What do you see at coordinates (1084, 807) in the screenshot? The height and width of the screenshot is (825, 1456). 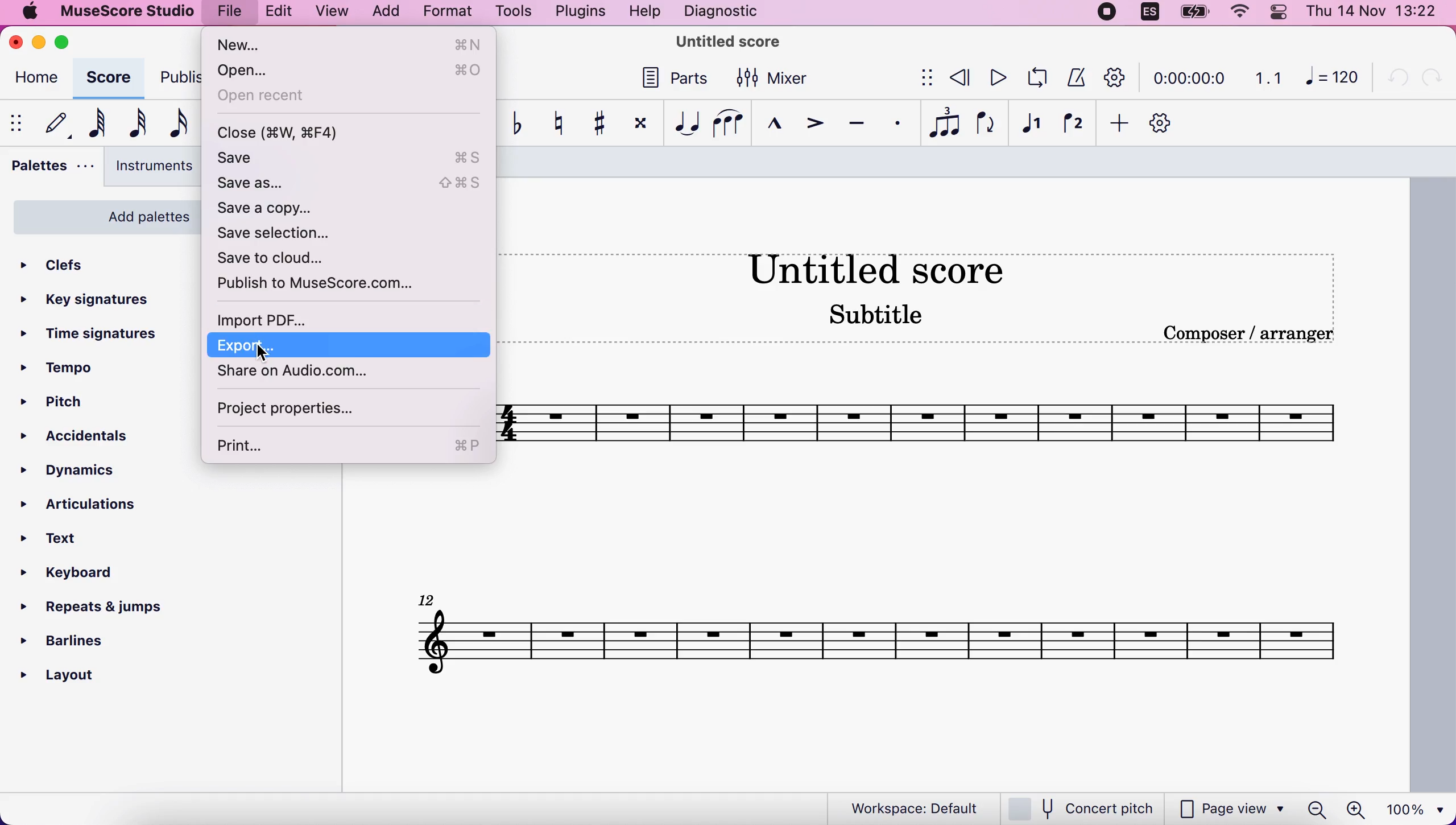 I see `concert pitch` at bounding box center [1084, 807].